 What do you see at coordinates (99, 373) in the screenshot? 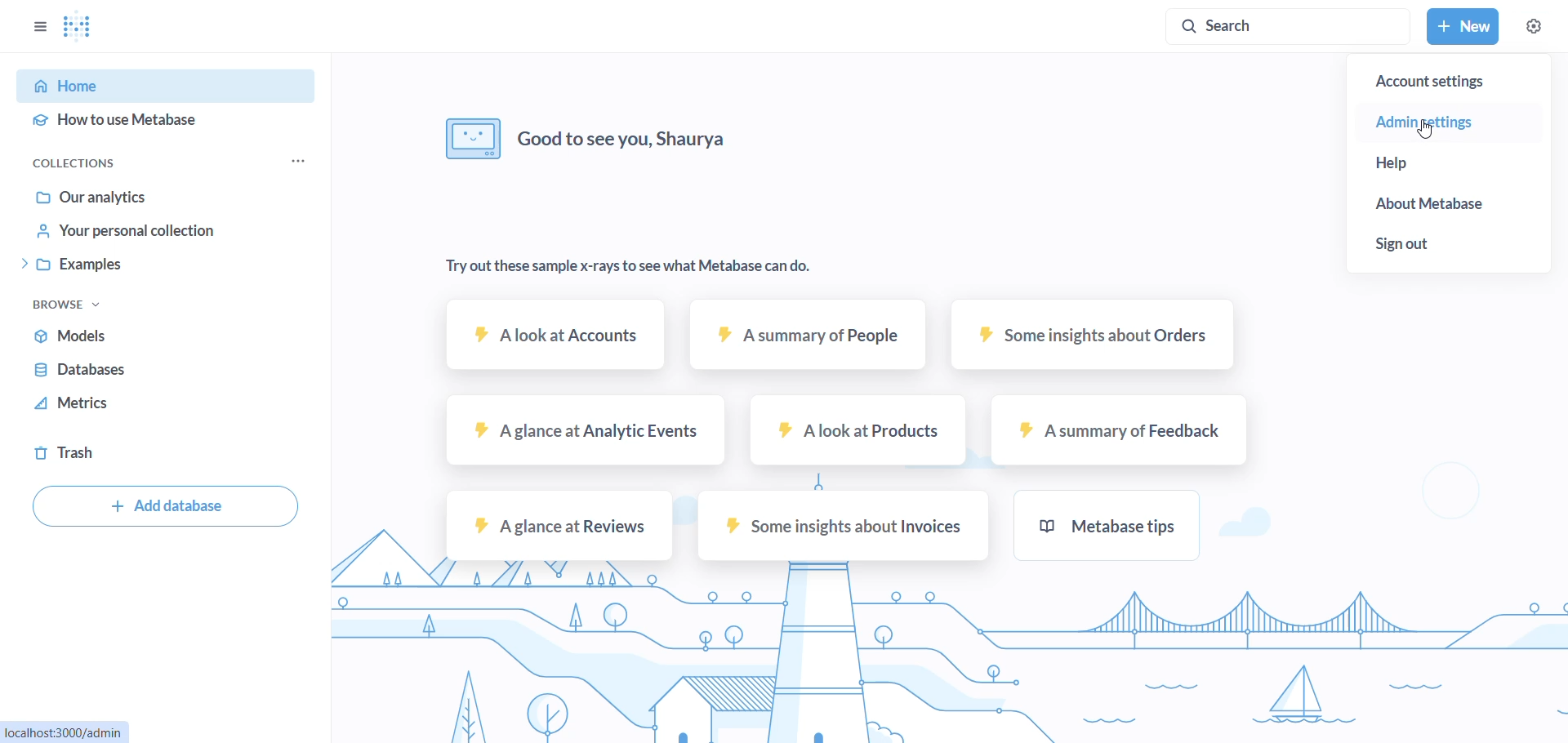
I see `databases` at bounding box center [99, 373].